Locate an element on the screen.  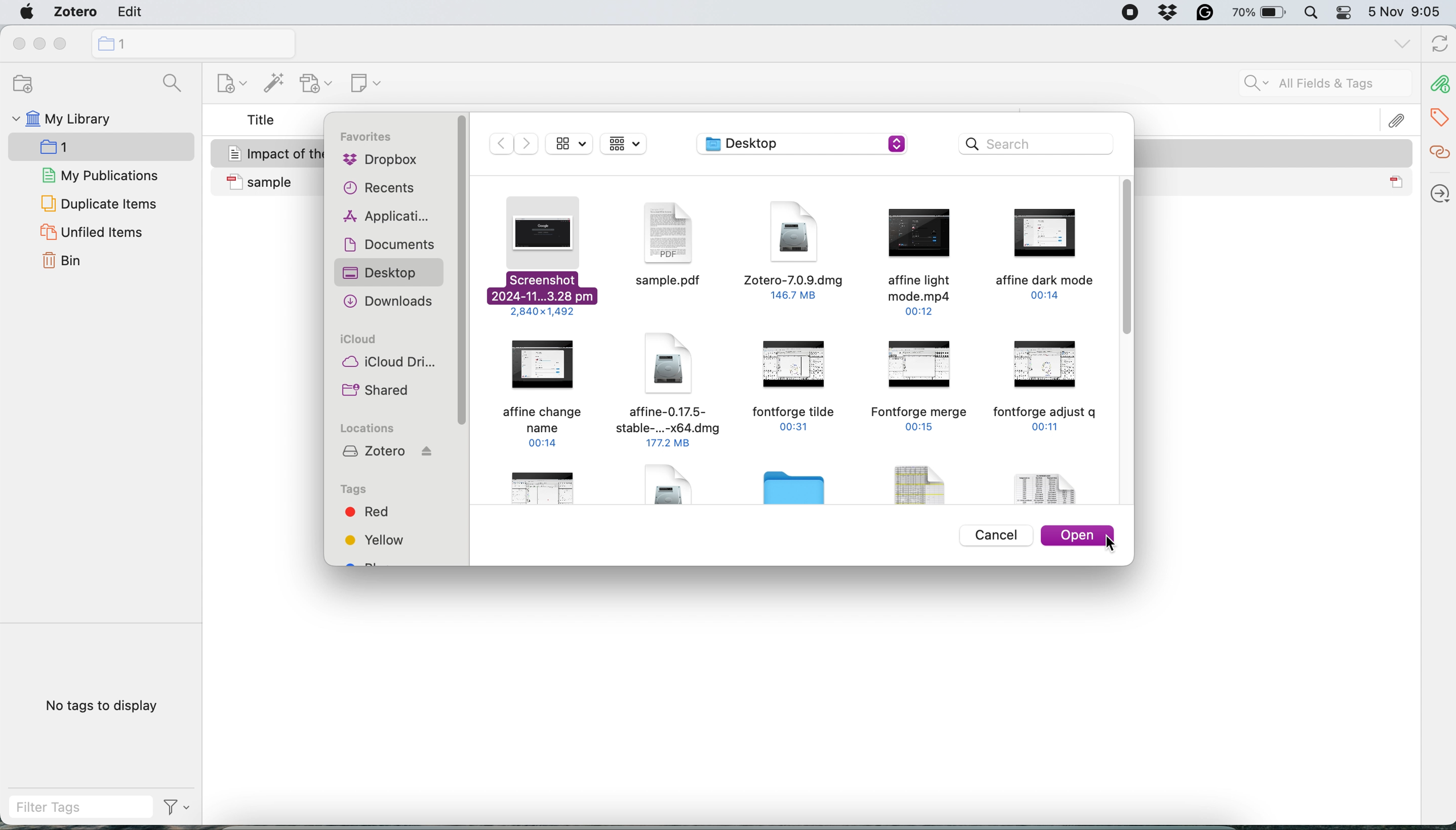
Impact of the Information Technology on the Accounting System  Jasim and Raewf is located at coordinates (1275, 153).